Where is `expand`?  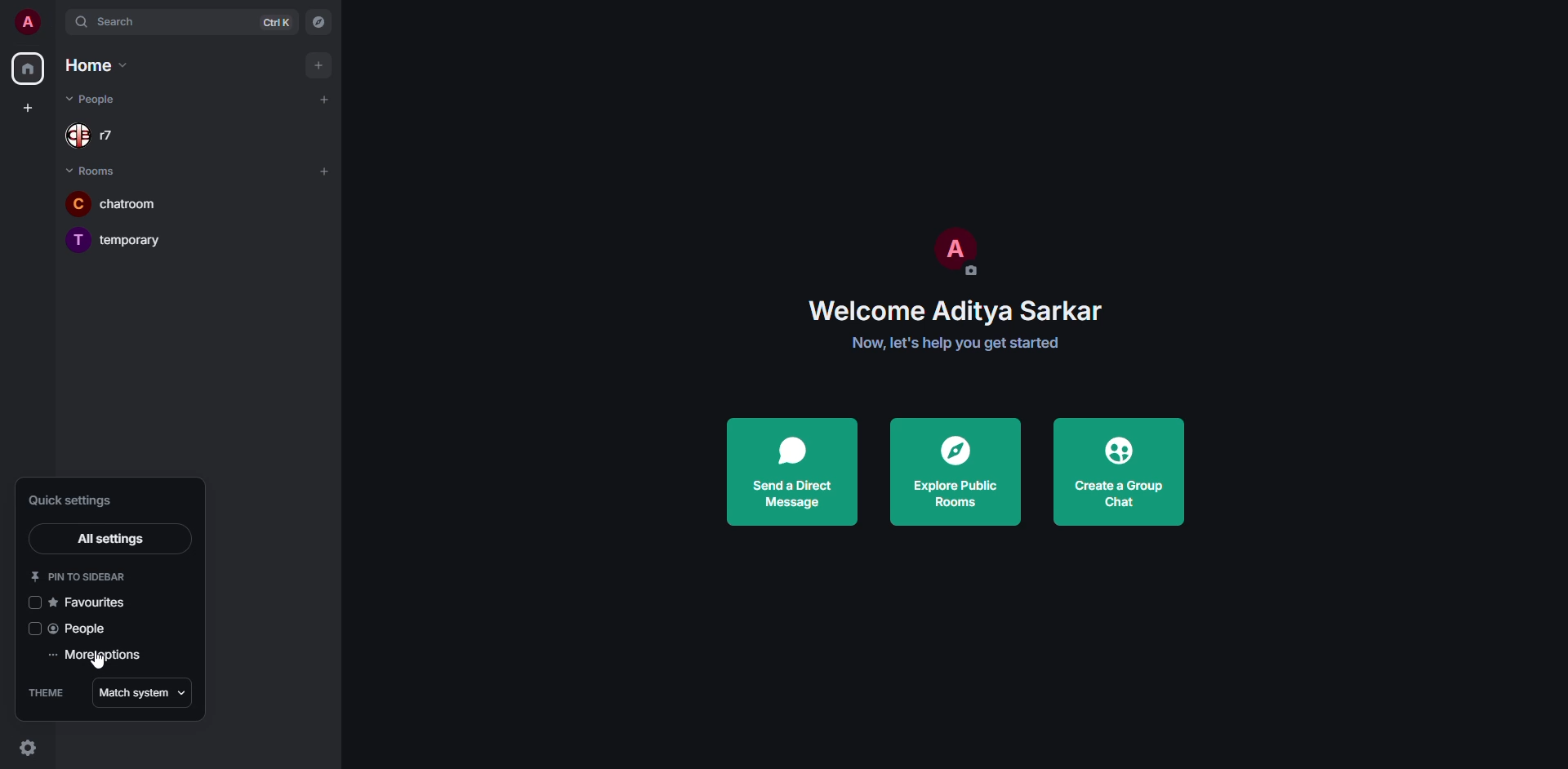 expand is located at coordinates (55, 23).